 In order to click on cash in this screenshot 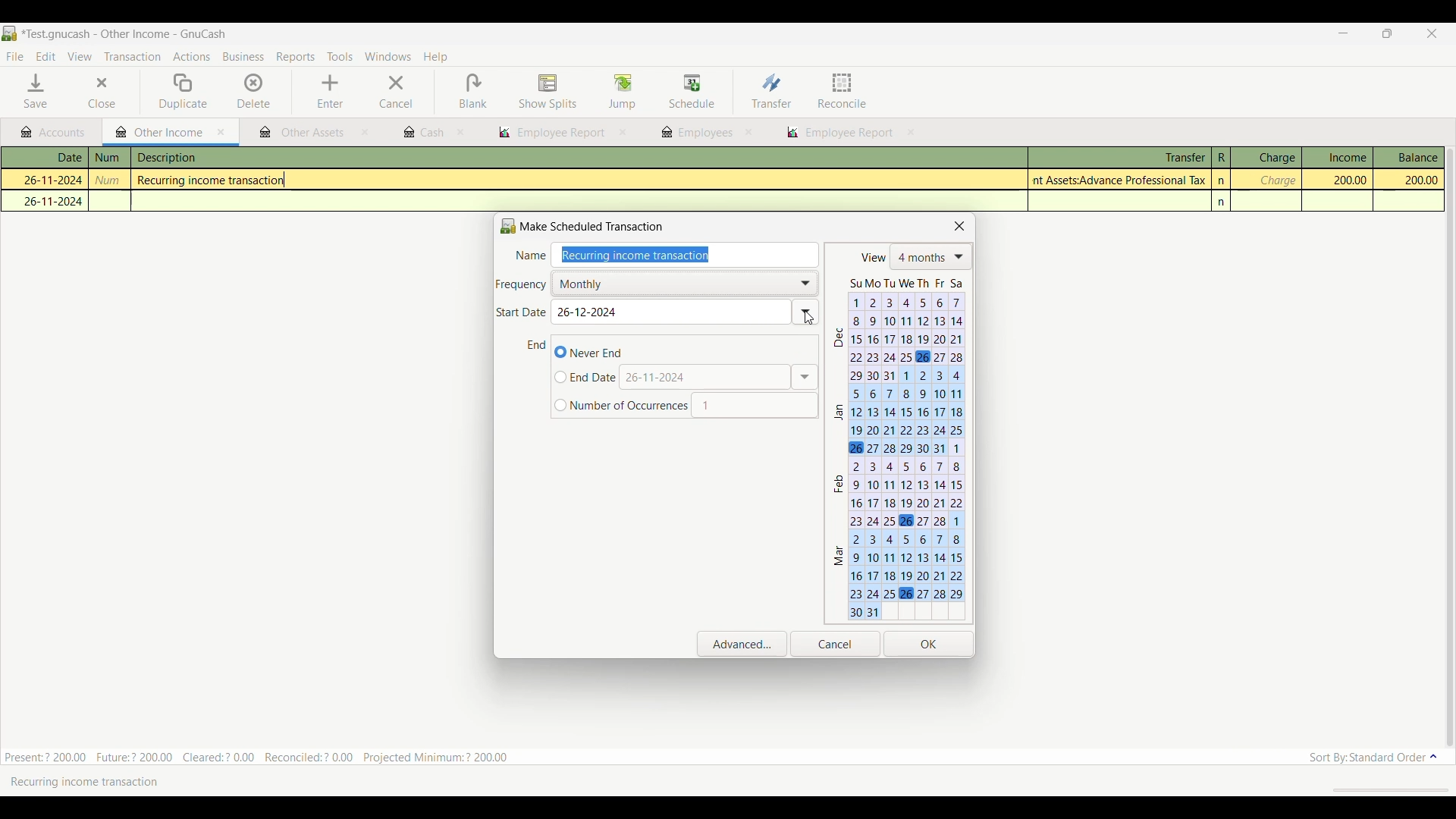, I will do `click(422, 133)`.